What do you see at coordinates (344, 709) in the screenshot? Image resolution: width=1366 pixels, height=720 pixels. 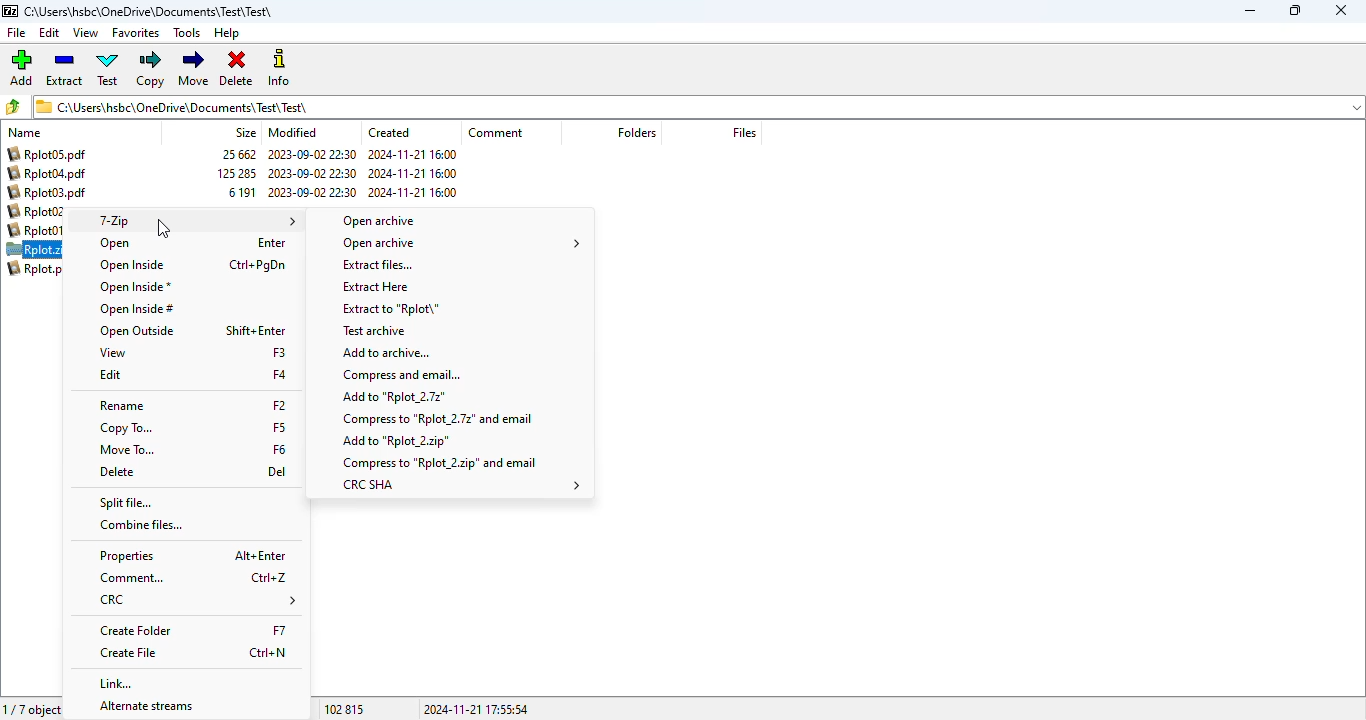 I see `102 815` at bounding box center [344, 709].